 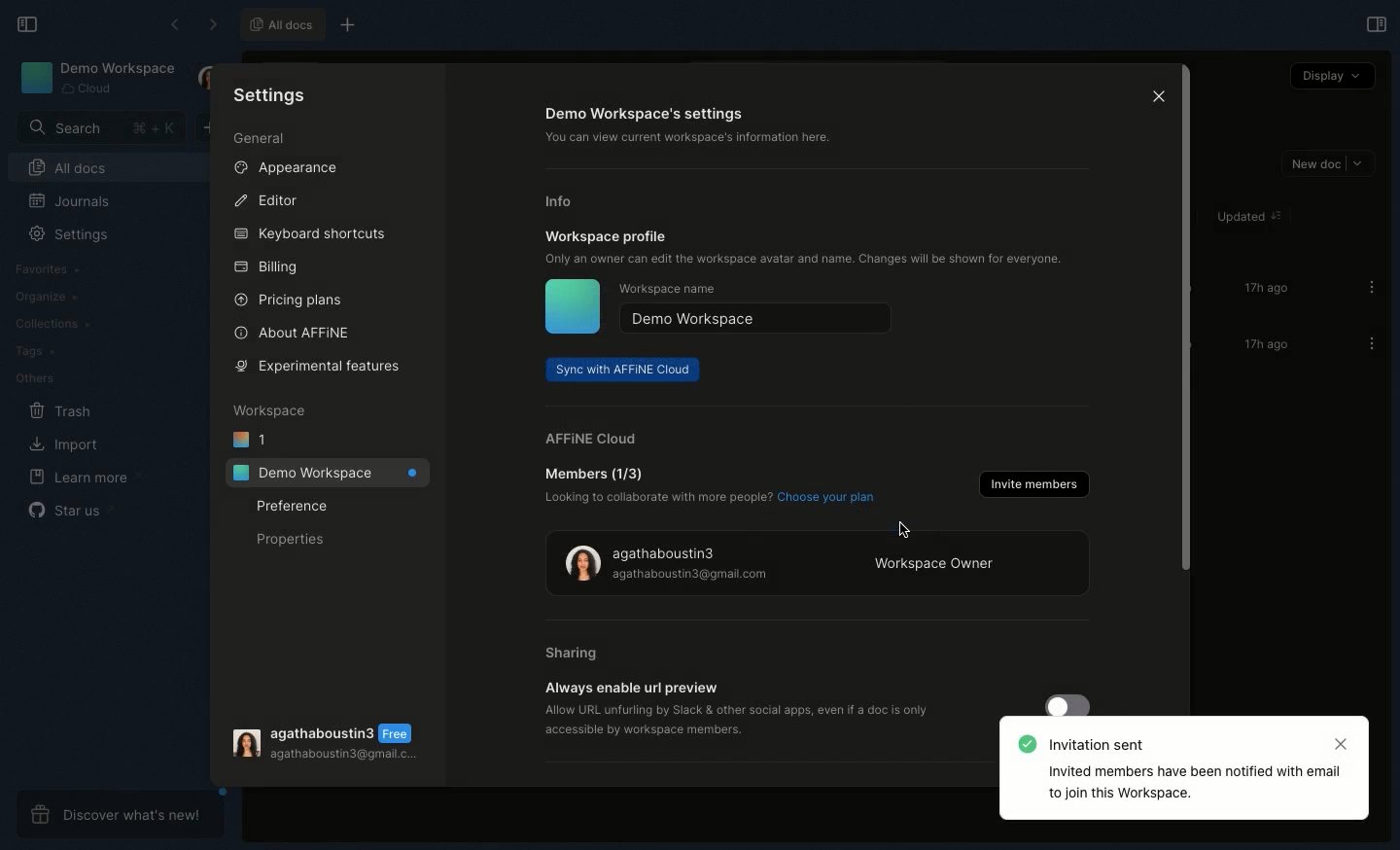 What do you see at coordinates (1263, 345) in the screenshot?
I see `17h ago` at bounding box center [1263, 345].